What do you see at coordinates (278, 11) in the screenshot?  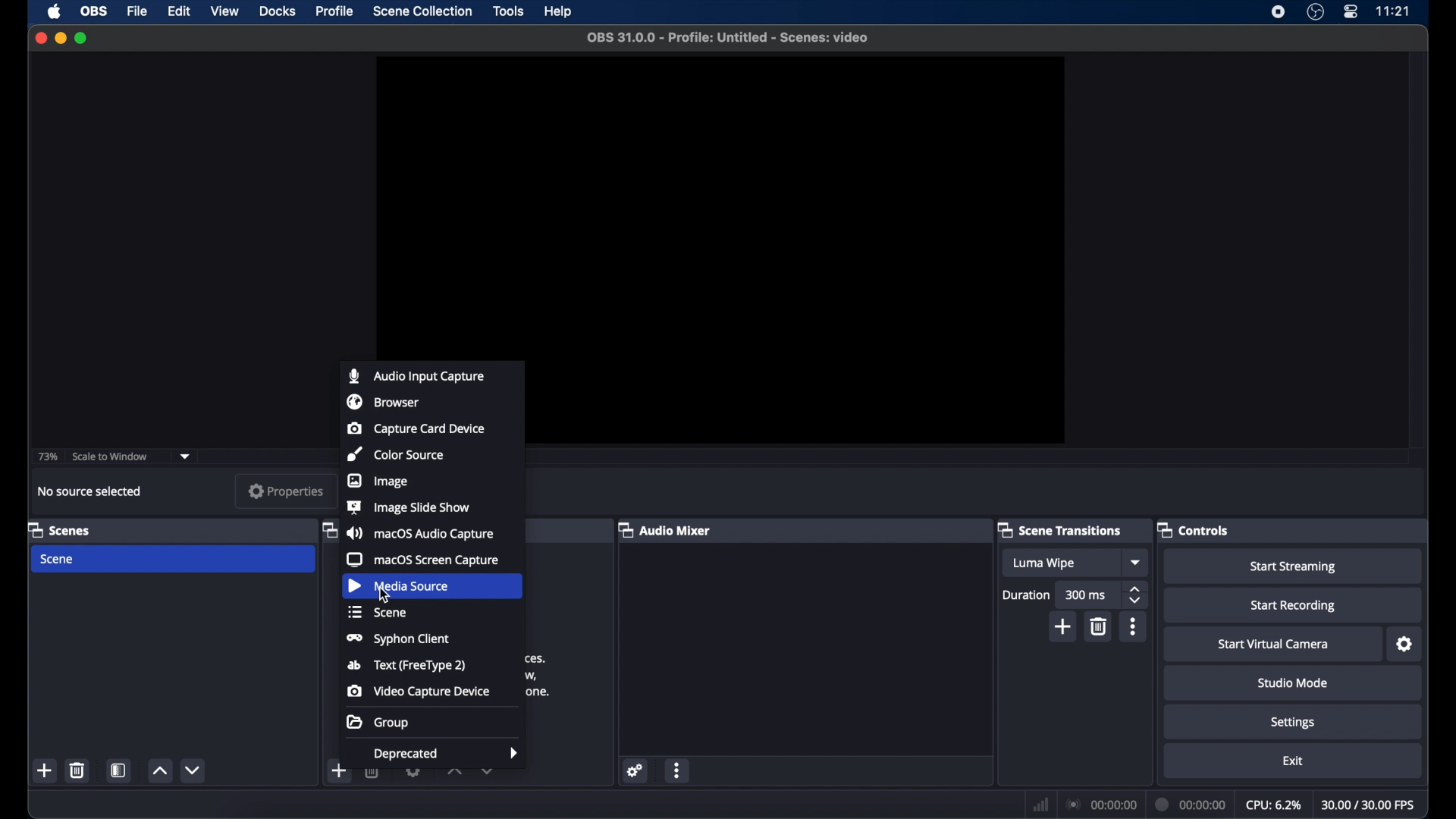 I see `docks` at bounding box center [278, 11].